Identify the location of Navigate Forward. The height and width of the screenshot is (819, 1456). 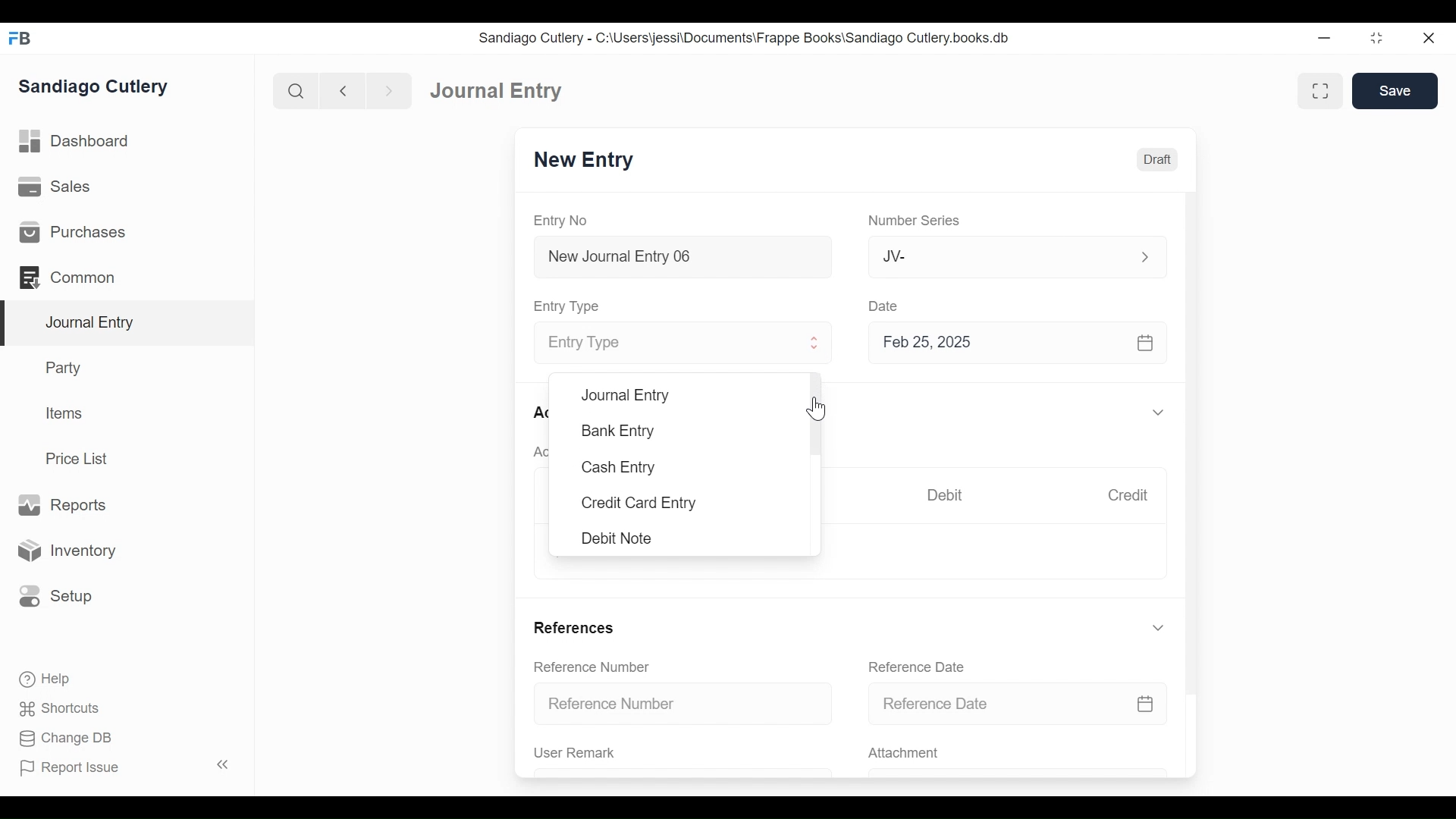
(390, 92).